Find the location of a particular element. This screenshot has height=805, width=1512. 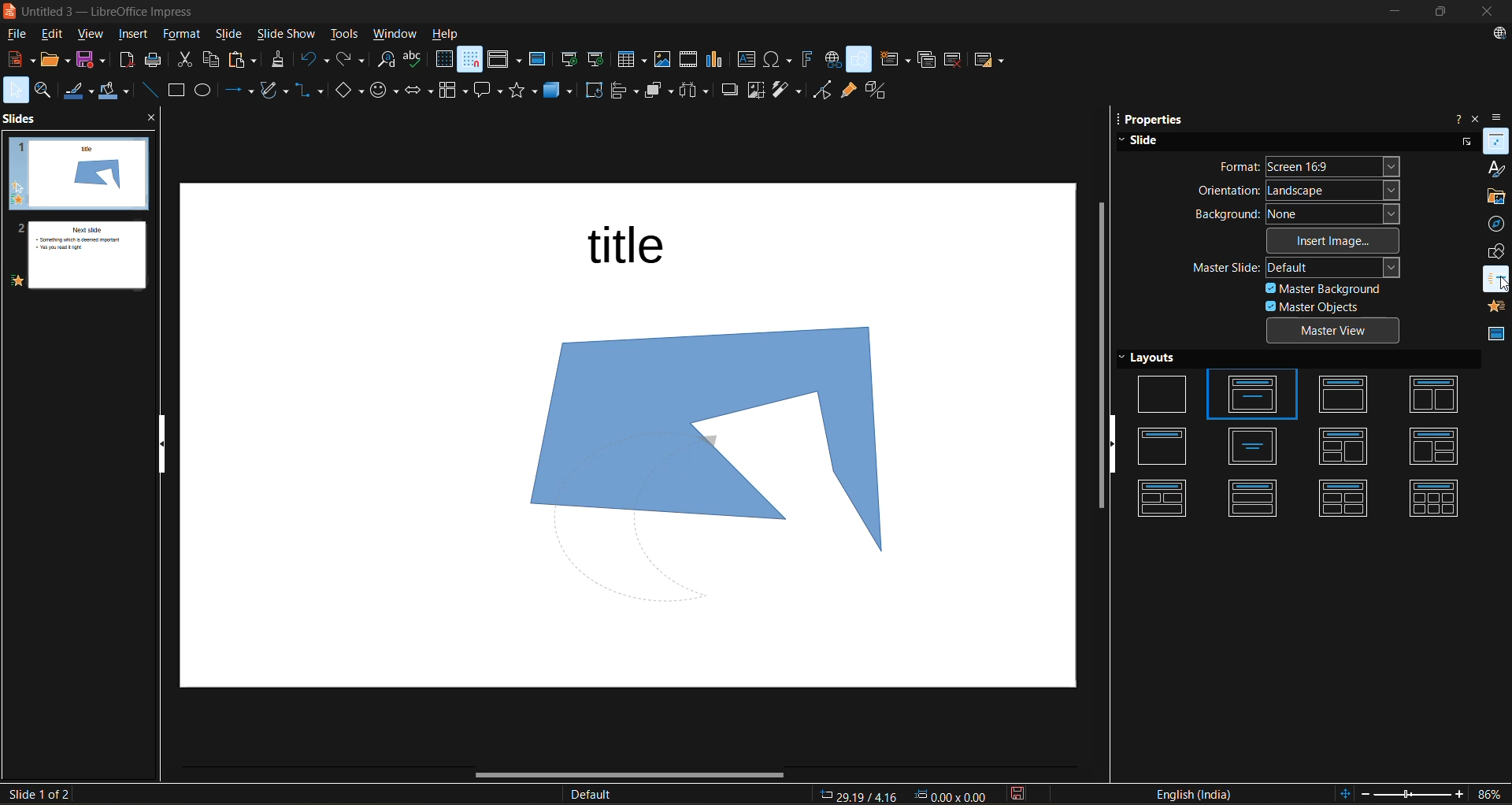

window is located at coordinates (397, 34).